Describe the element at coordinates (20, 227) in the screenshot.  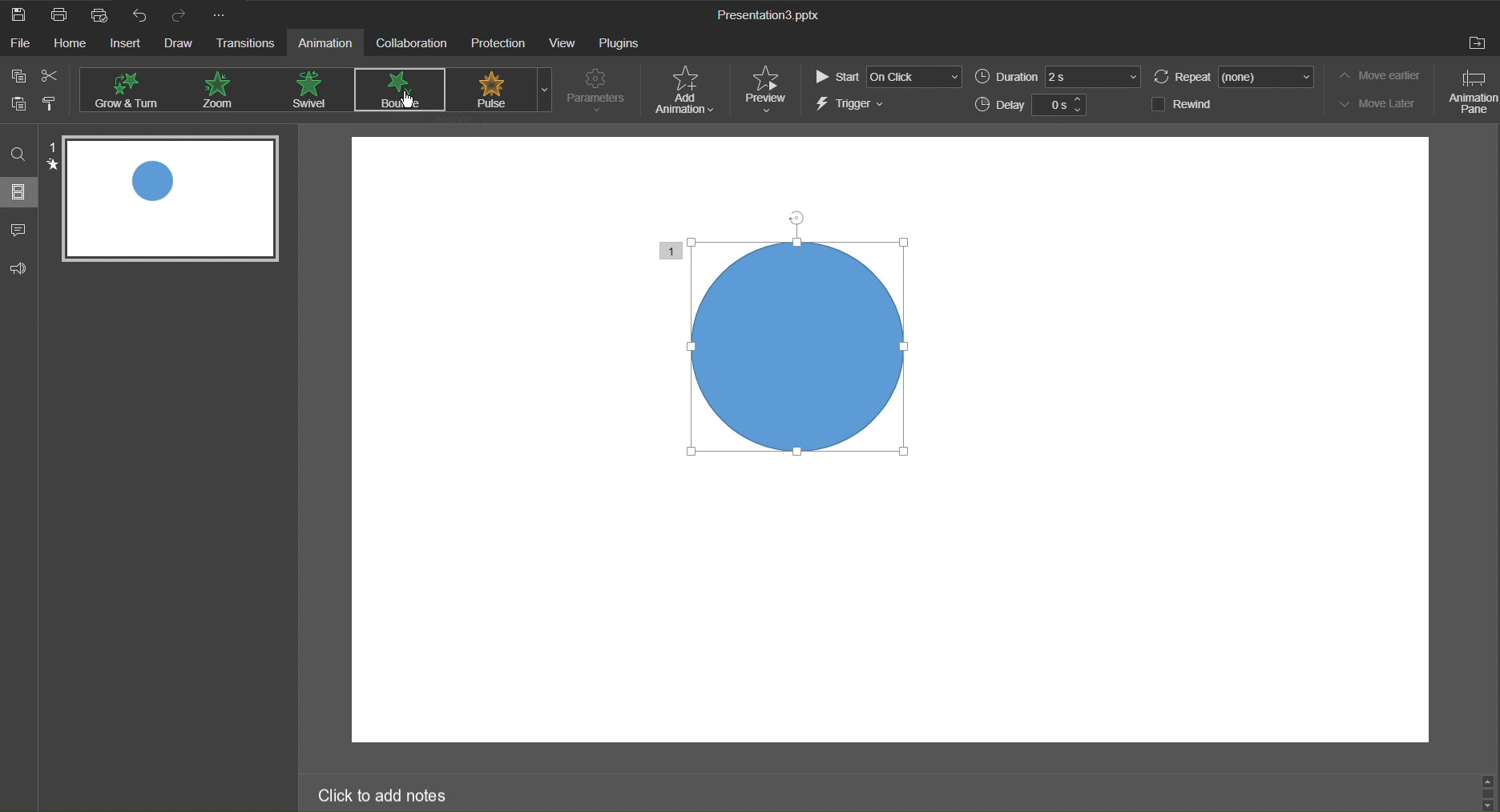
I see `Comments` at that location.